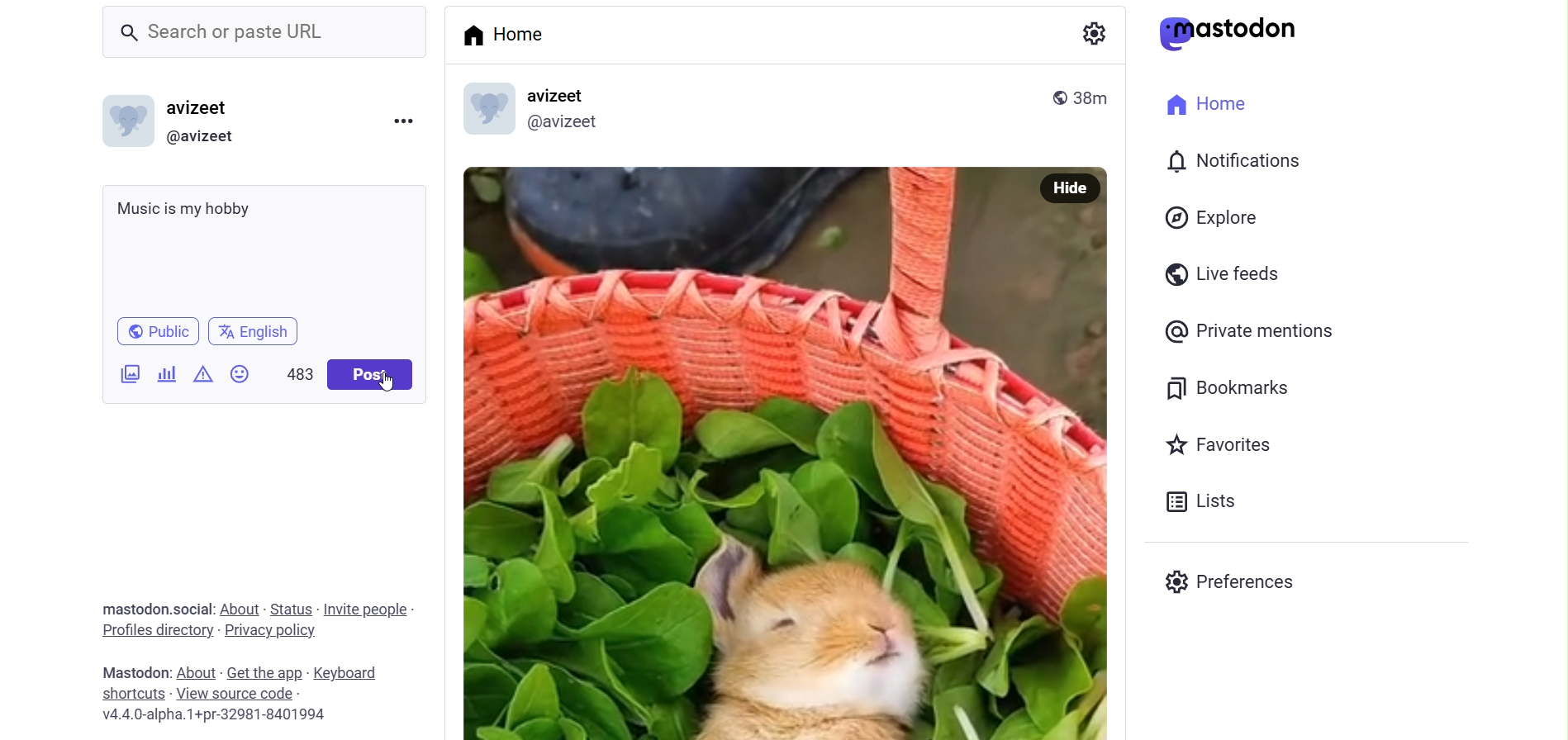  I want to click on view Source Code, so click(240, 693).